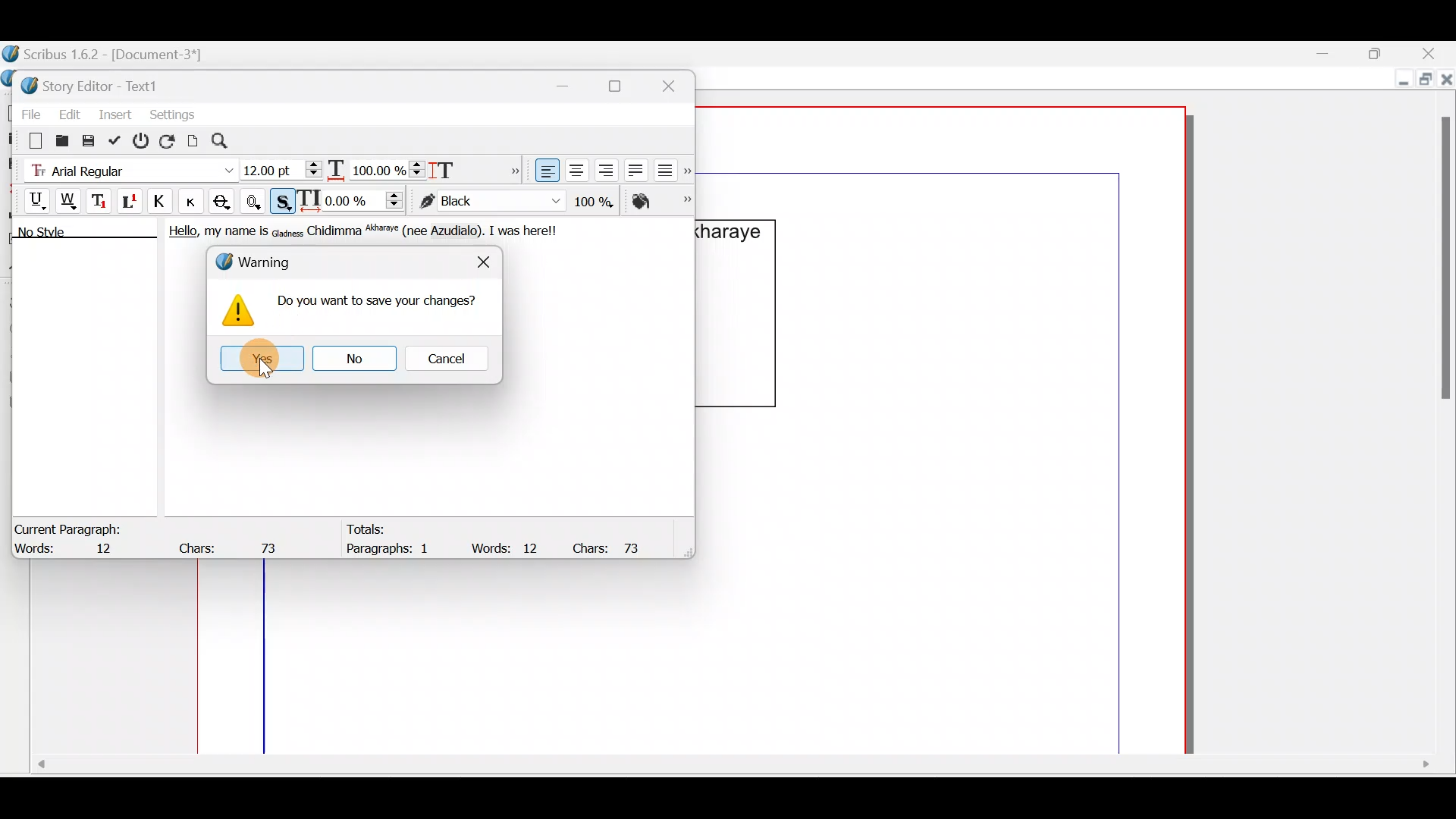 The image size is (1456, 819). What do you see at coordinates (1334, 54) in the screenshot?
I see `Minimize` at bounding box center [1334, 54].